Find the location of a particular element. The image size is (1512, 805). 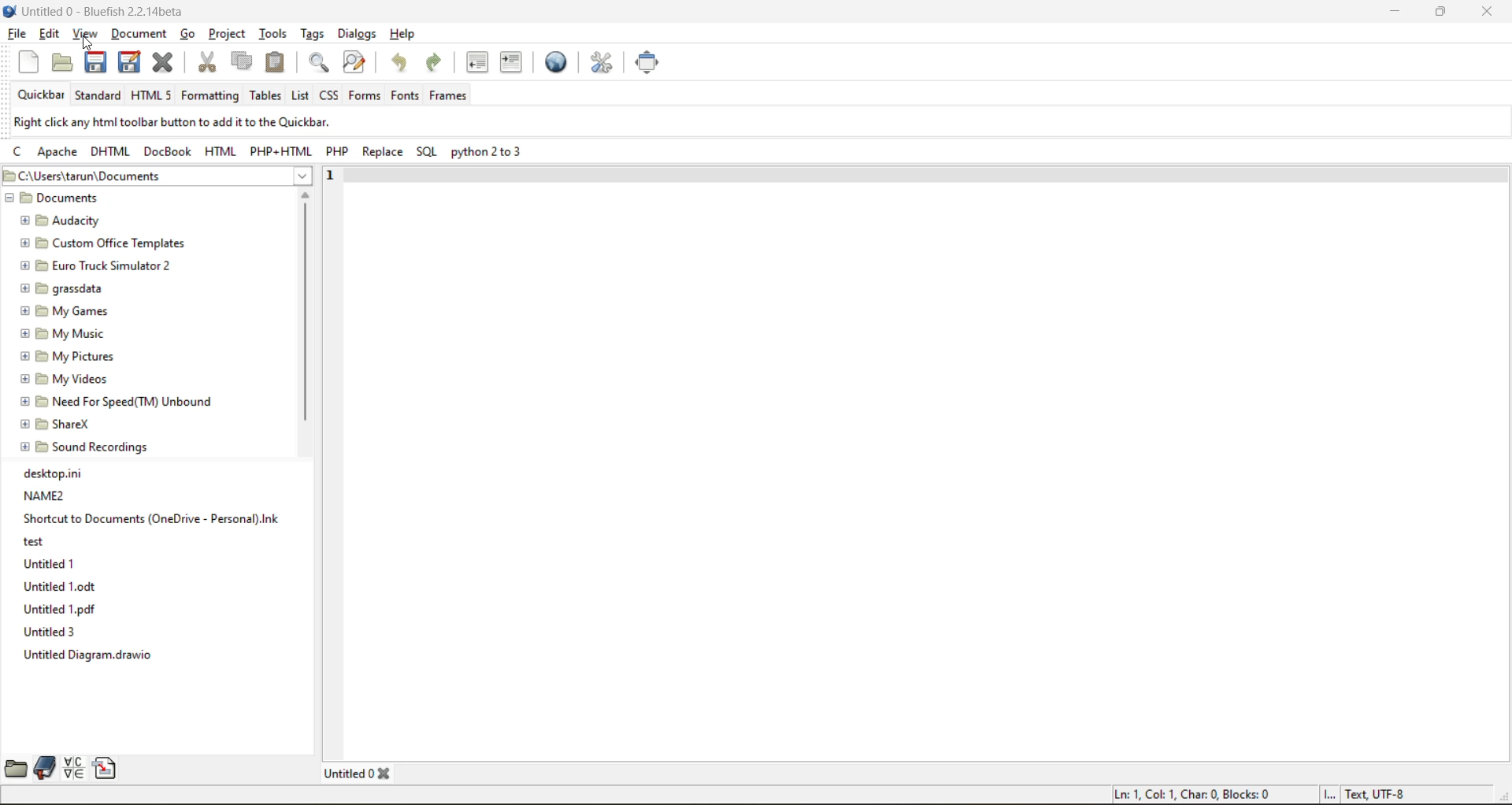

file is located at coordinates (16, 33).